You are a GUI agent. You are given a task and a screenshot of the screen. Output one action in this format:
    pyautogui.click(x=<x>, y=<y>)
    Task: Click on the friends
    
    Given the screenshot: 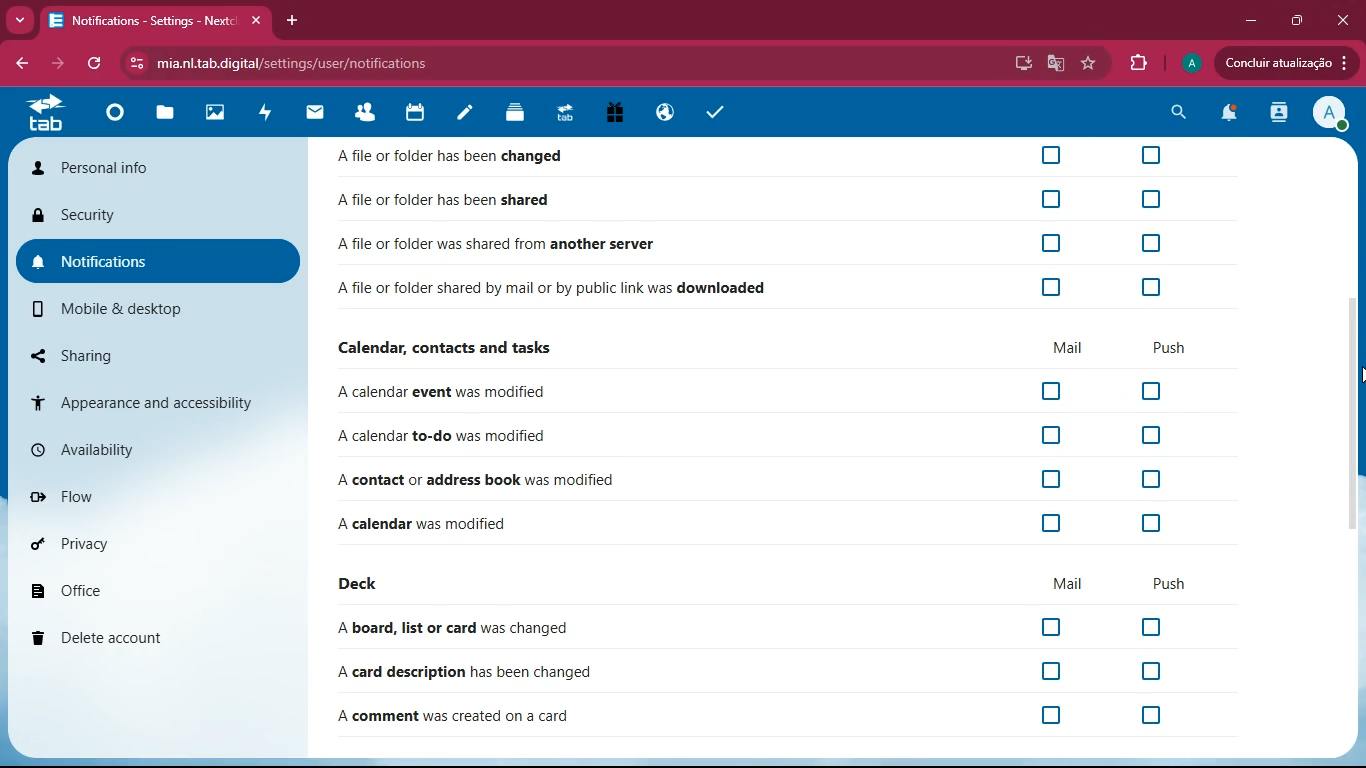 What is the action you would take?
    pyautogui.click(x=371, y=113)
    